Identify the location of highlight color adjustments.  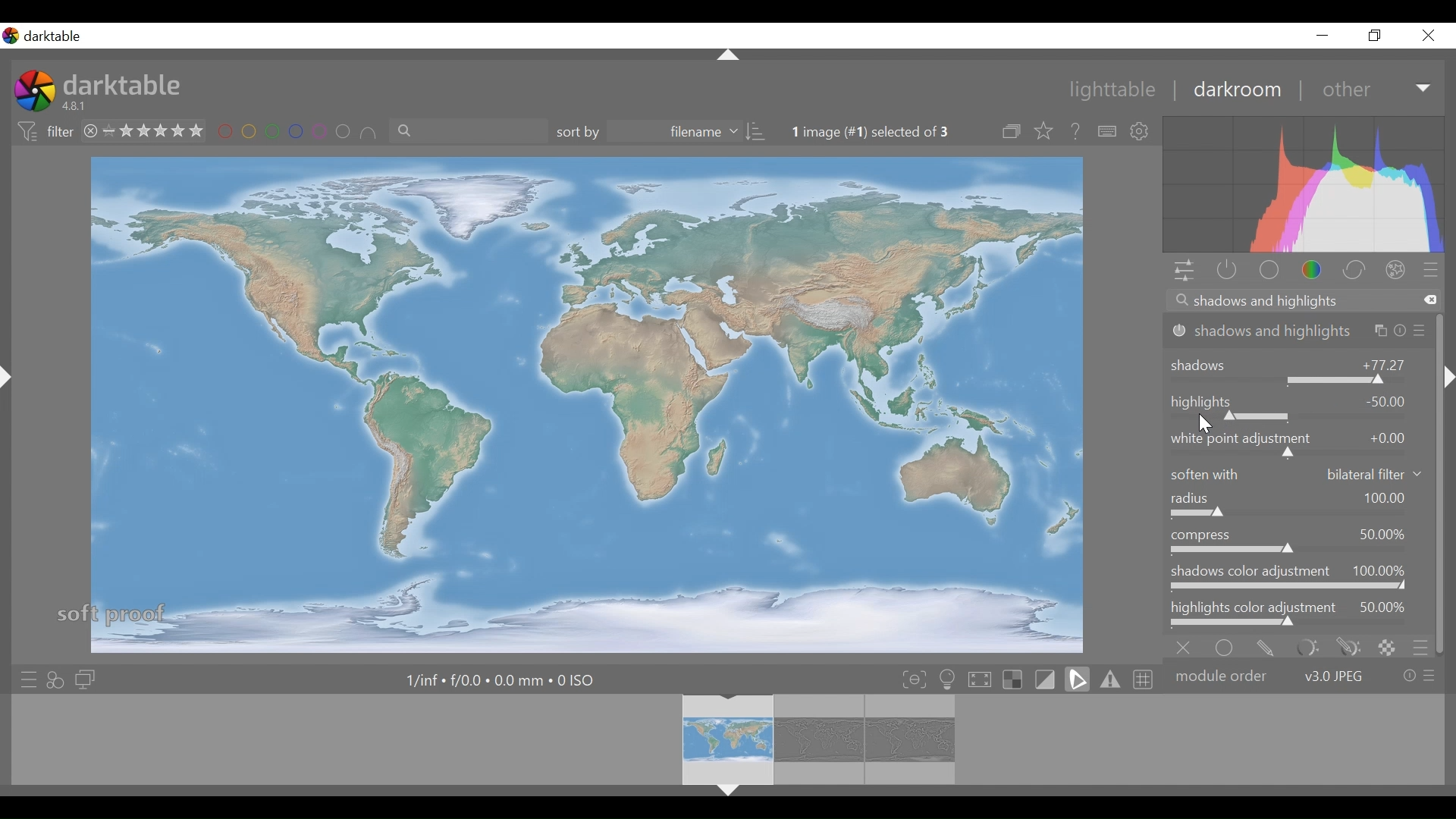
(1299, 614).